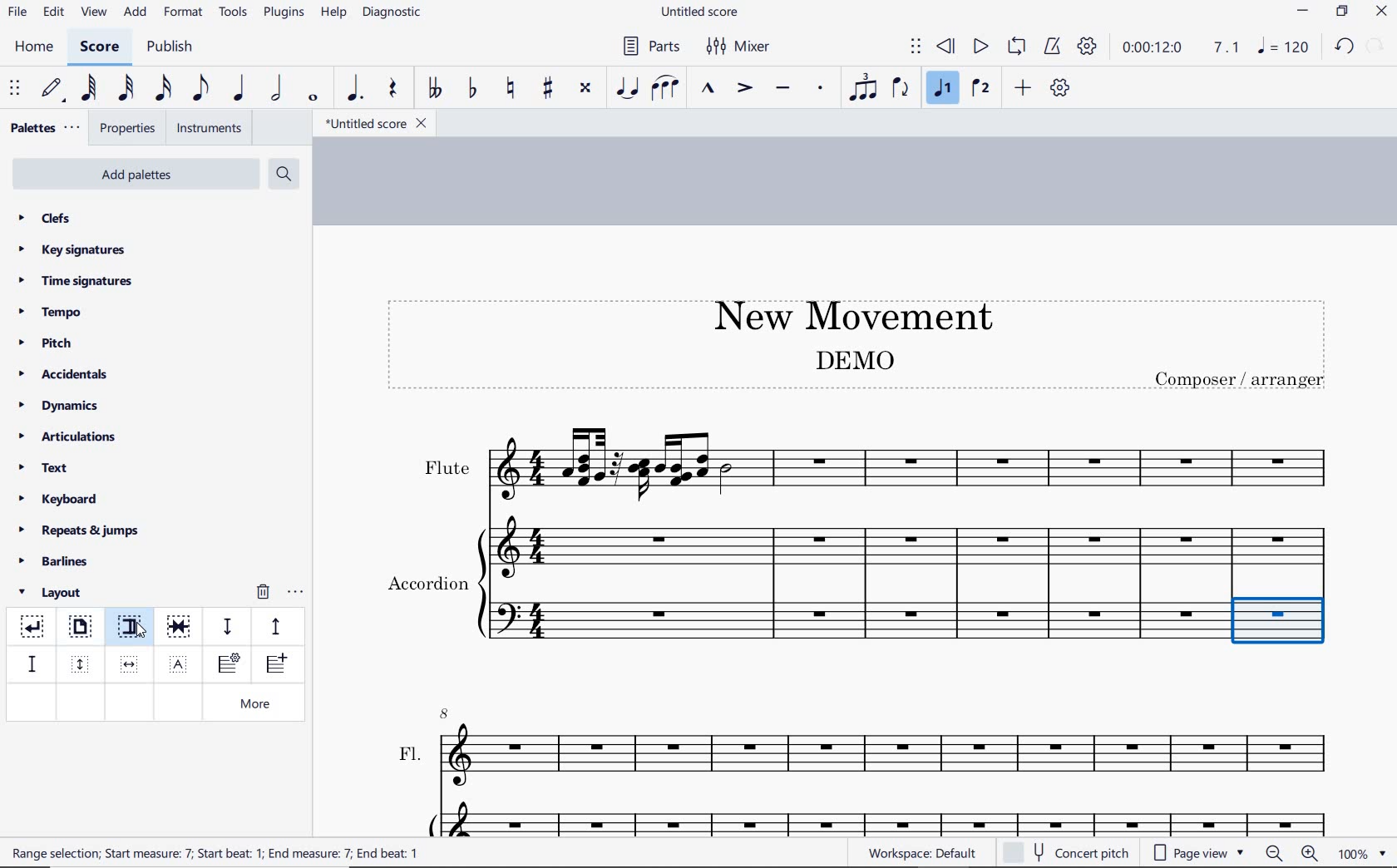 The image size is (1397, 868). I want to click on zoom factor, so click(1362, 853).